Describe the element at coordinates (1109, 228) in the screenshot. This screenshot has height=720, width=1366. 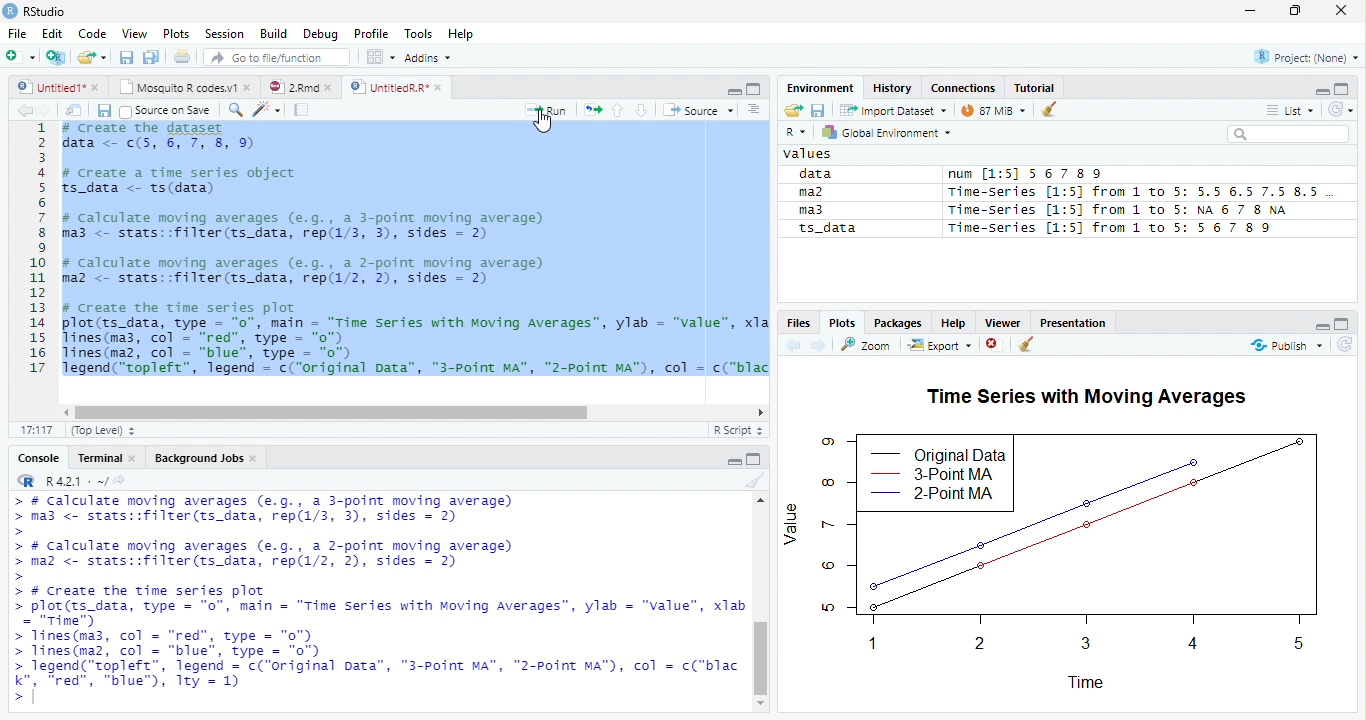
I see `Time-Series [1:5] from 1 to 5: 567 8 9` at that location.